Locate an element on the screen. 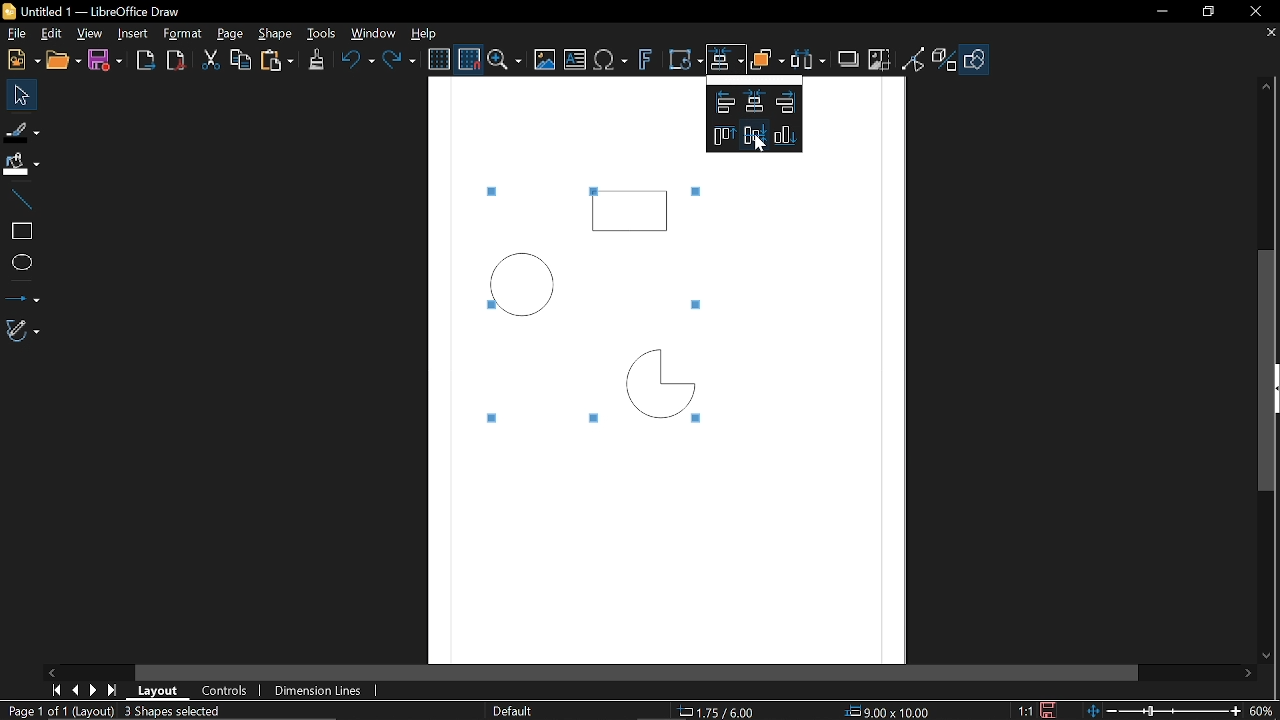 The width and height of the screenshot is (1280, 720). Previous page is located at coordinates (72, 690).